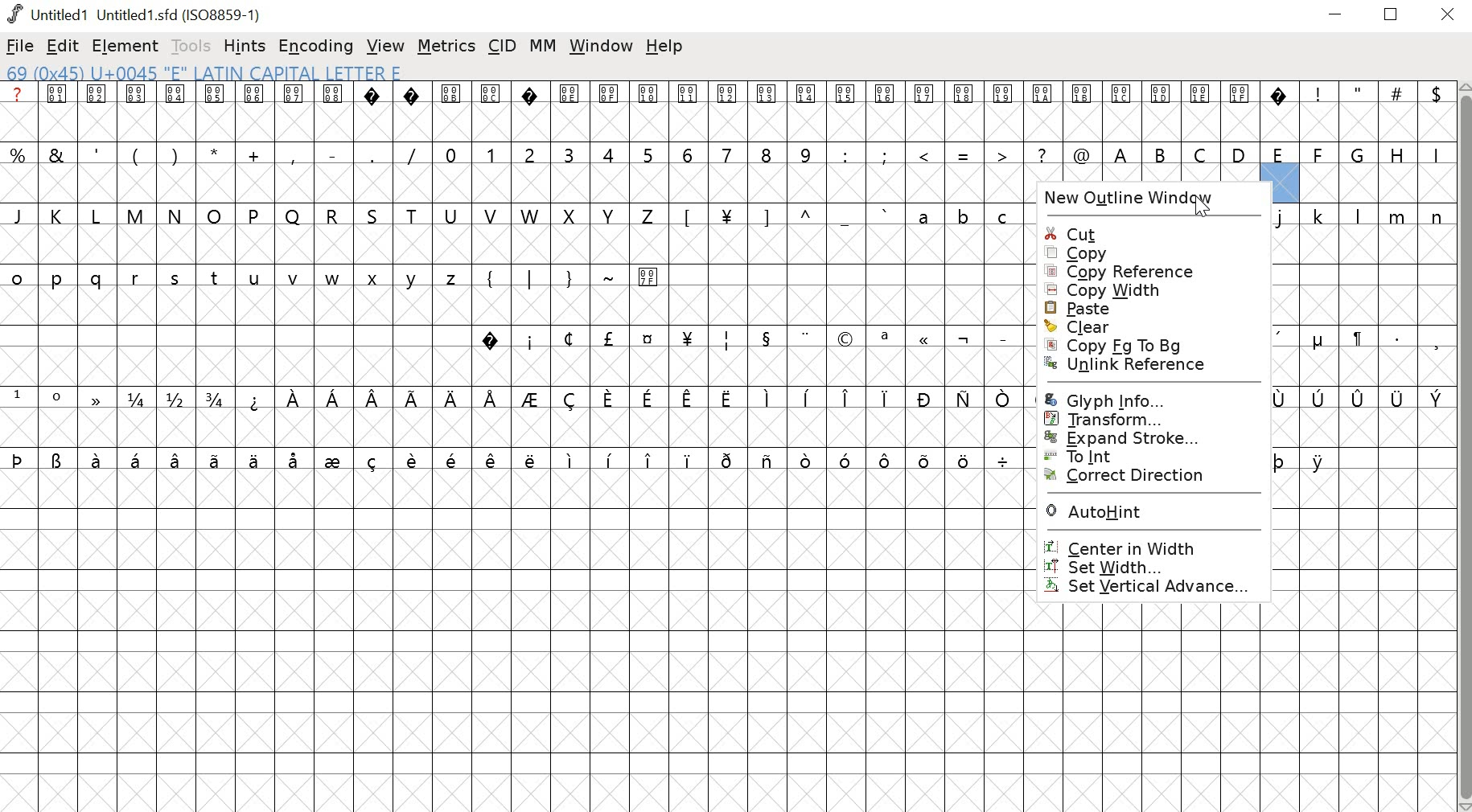 Image resolution: width=1472 pixels, height=812 pixels. Describe the element at coordinates (1336, 17) in the screenshot. I see `minimize` at that location.